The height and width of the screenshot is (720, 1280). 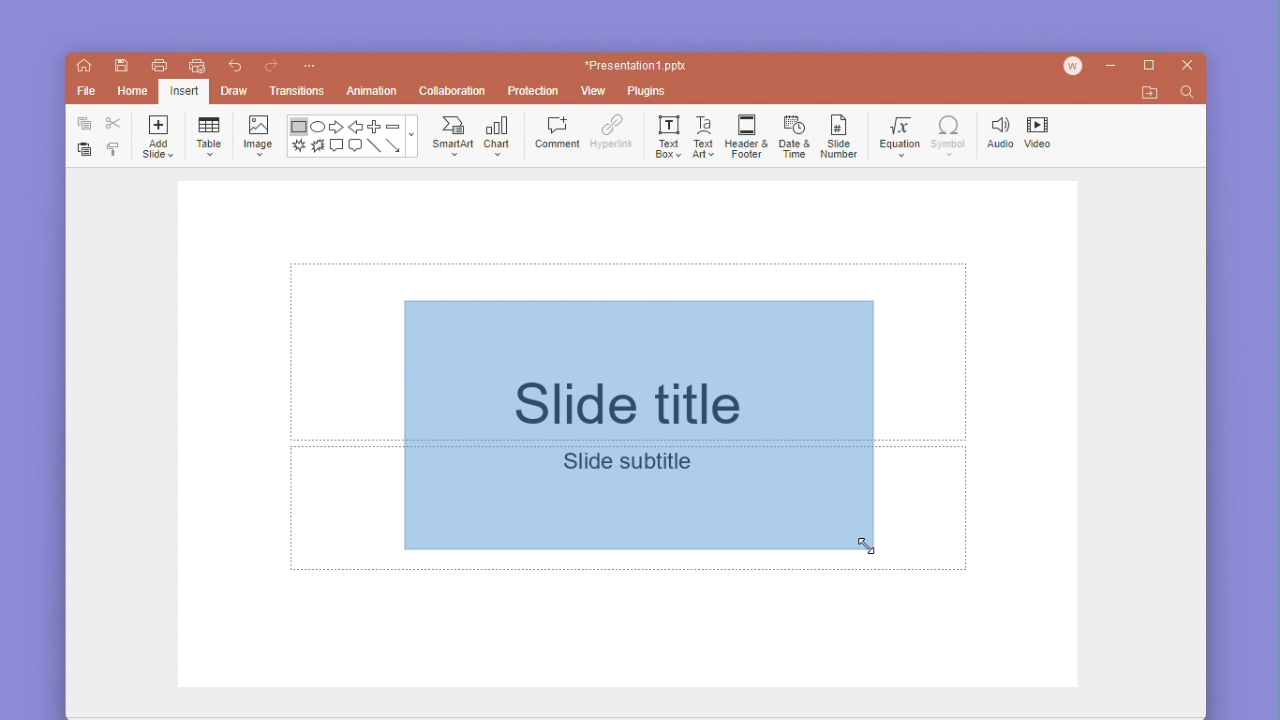 I want to click on close, so click(x=1188, y=66).